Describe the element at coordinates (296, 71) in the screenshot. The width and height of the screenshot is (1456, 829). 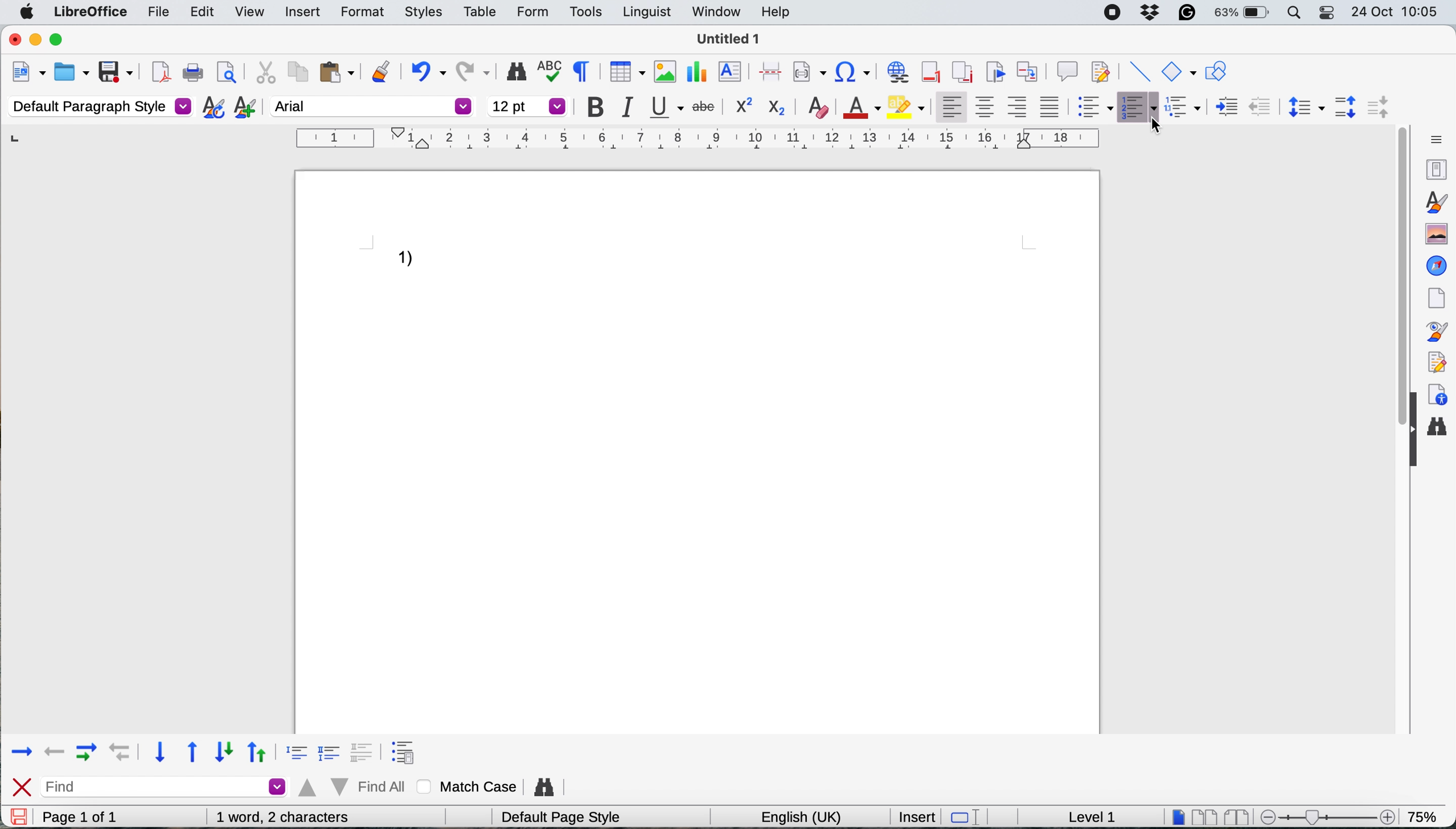
I see `copy` at that location.